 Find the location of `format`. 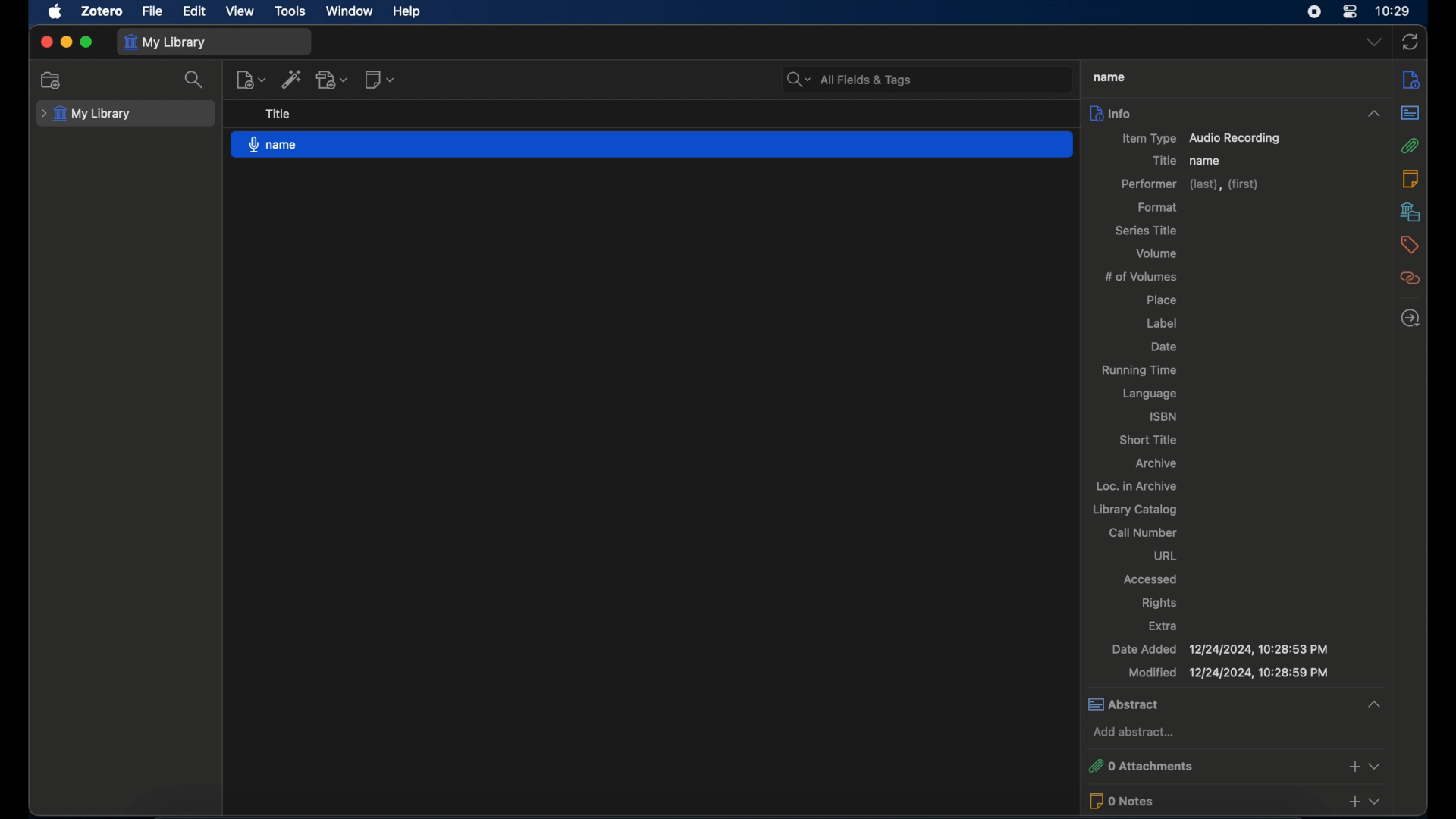

format is located at coordinates (1159, 207).